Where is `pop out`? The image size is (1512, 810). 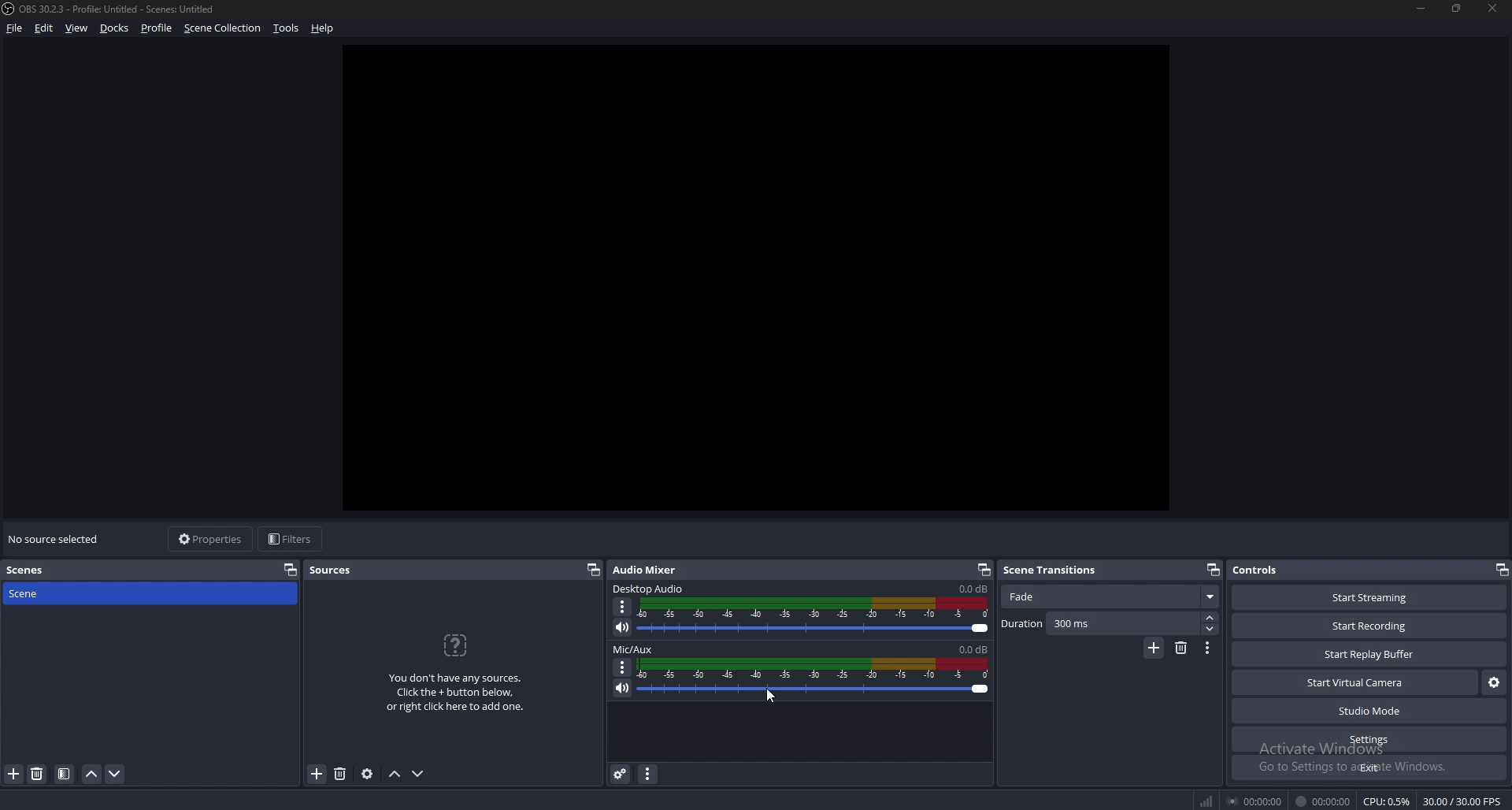
pop out is located at coordinates (984, 570).